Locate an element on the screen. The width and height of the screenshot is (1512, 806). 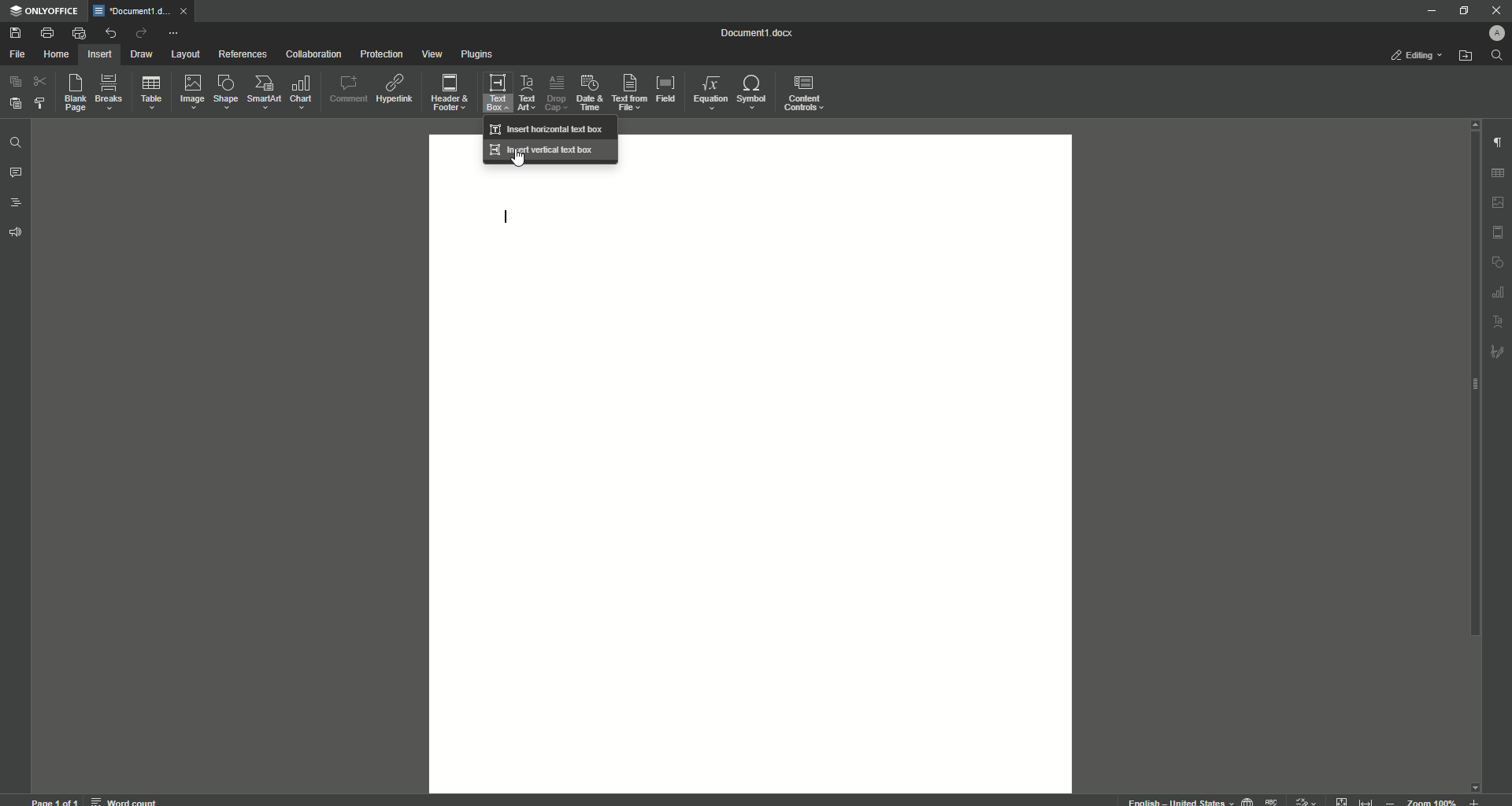
text language is located at coordinates (1173, 800).